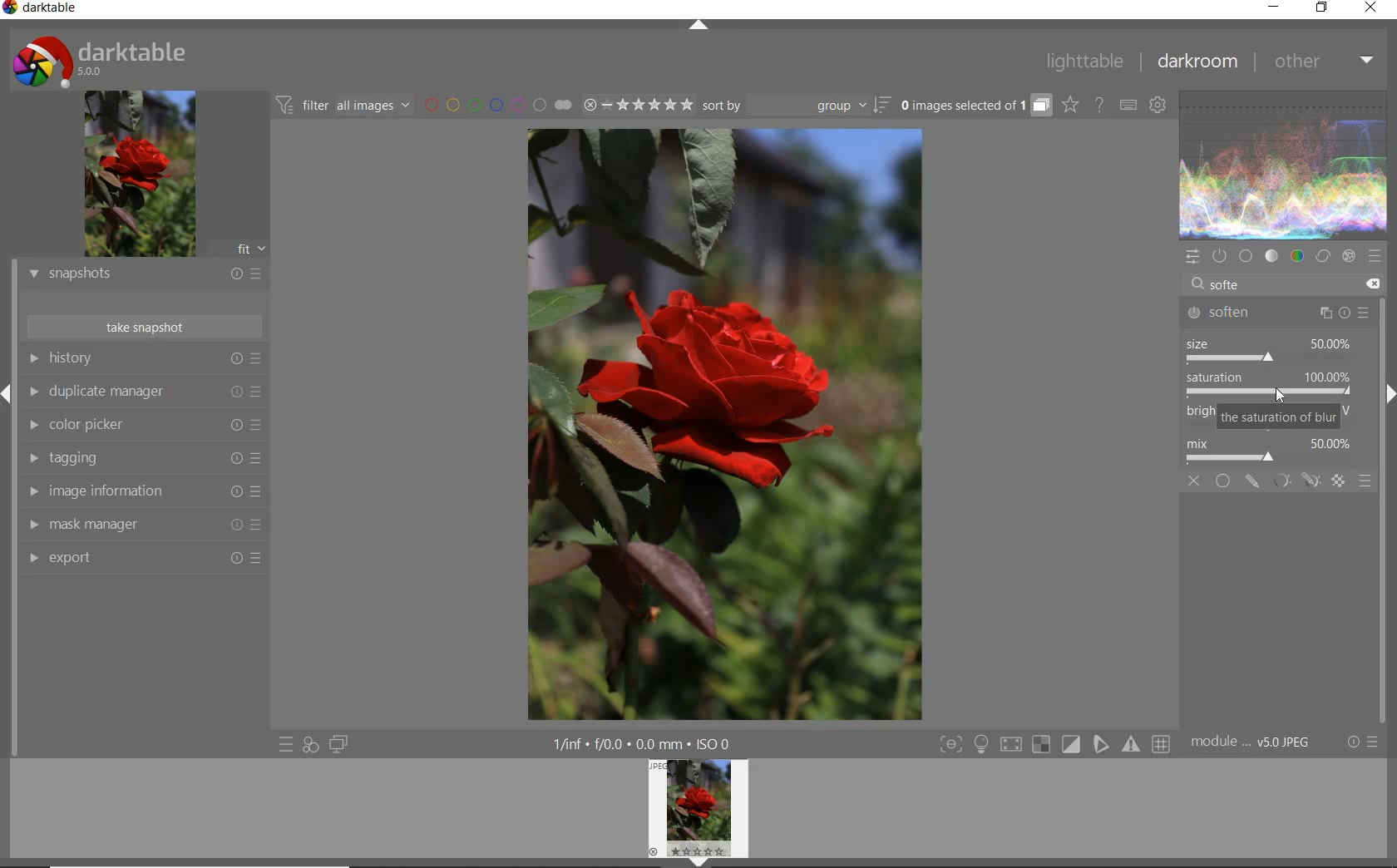 Image resolution: width=1397 pixels, height=868 pixels. I want to click on search modules by name, so click(1268, 279).